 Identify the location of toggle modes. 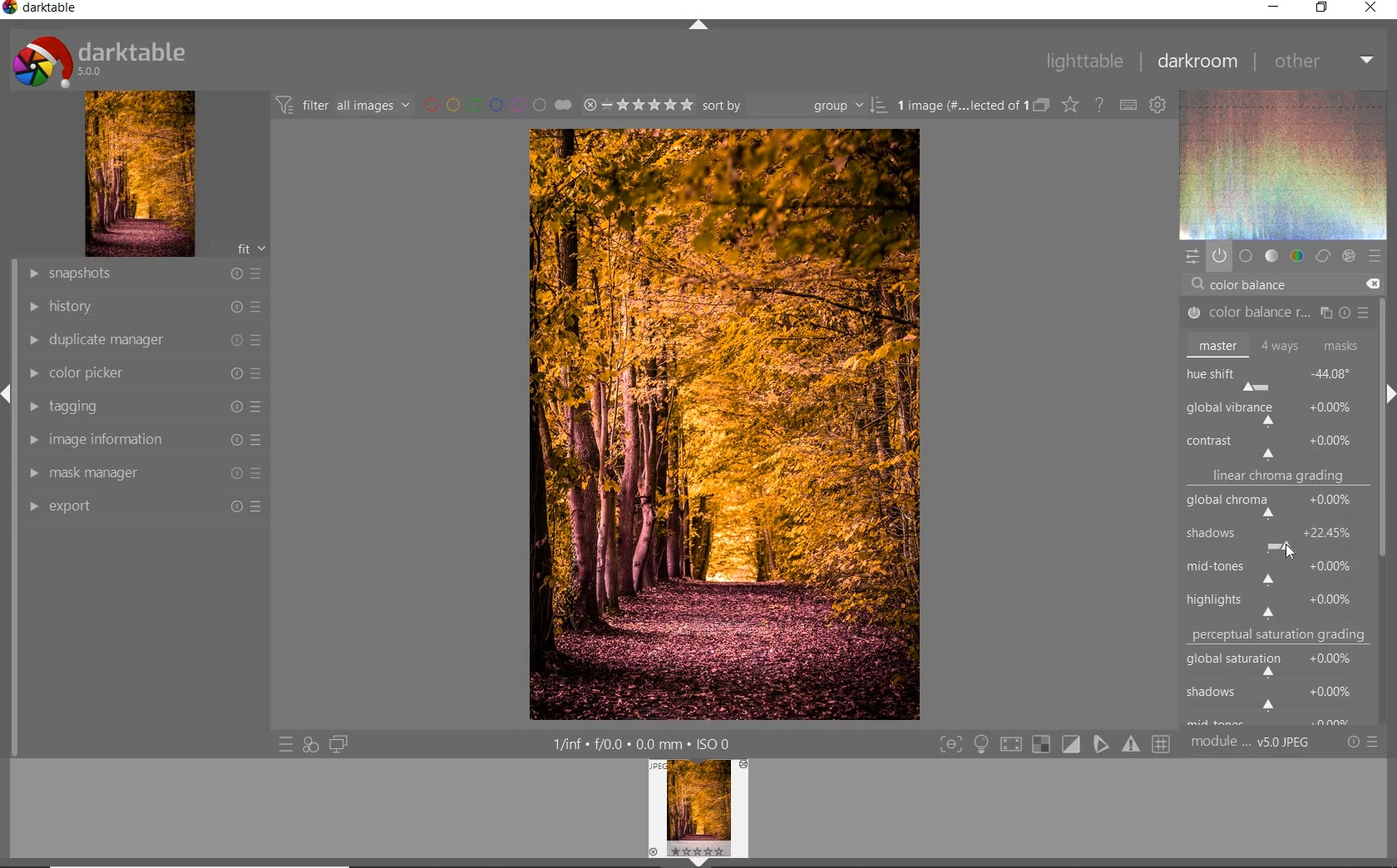
(1051, 744).